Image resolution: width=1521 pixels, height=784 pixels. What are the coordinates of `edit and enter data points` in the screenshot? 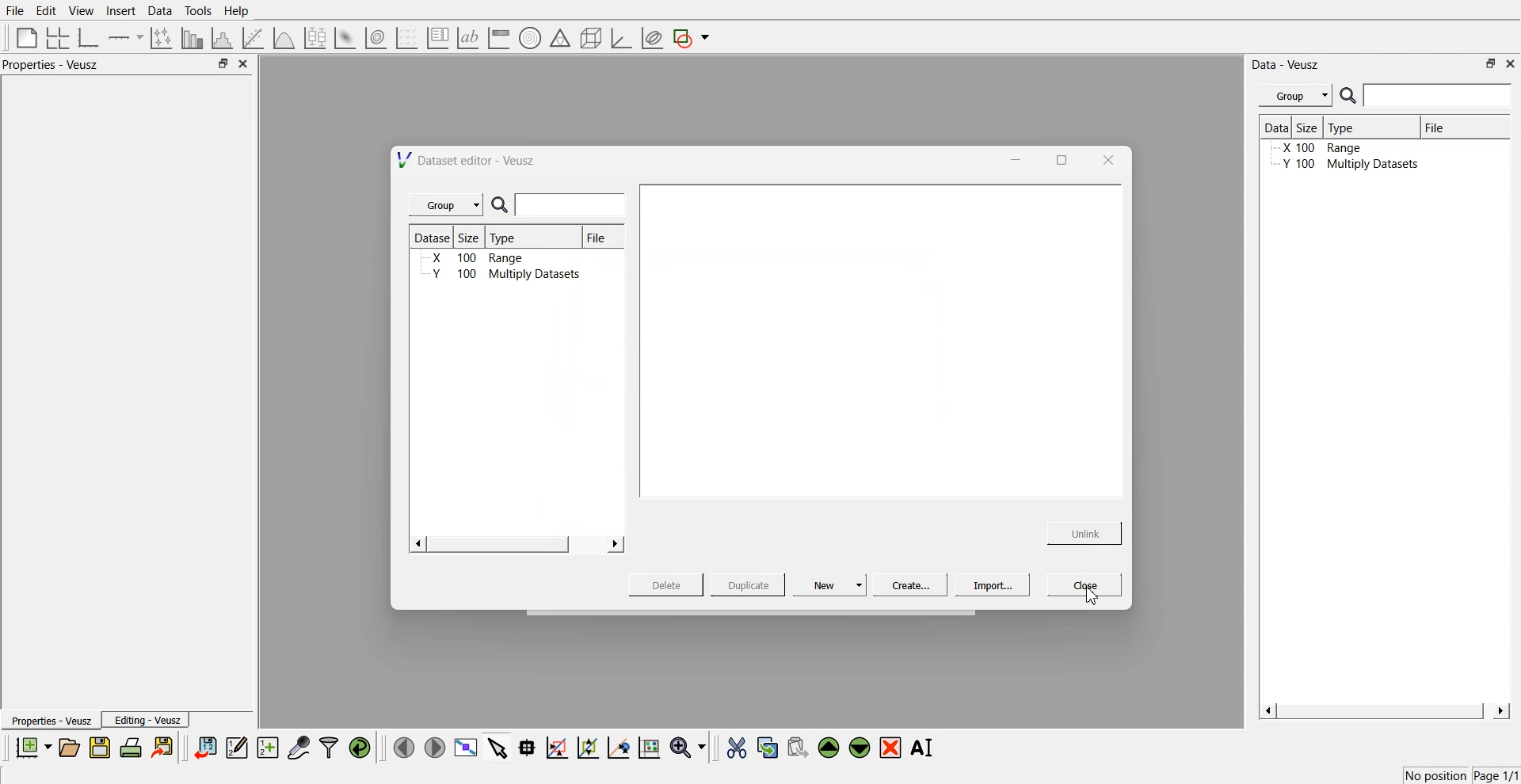 It's located at (237, 749).